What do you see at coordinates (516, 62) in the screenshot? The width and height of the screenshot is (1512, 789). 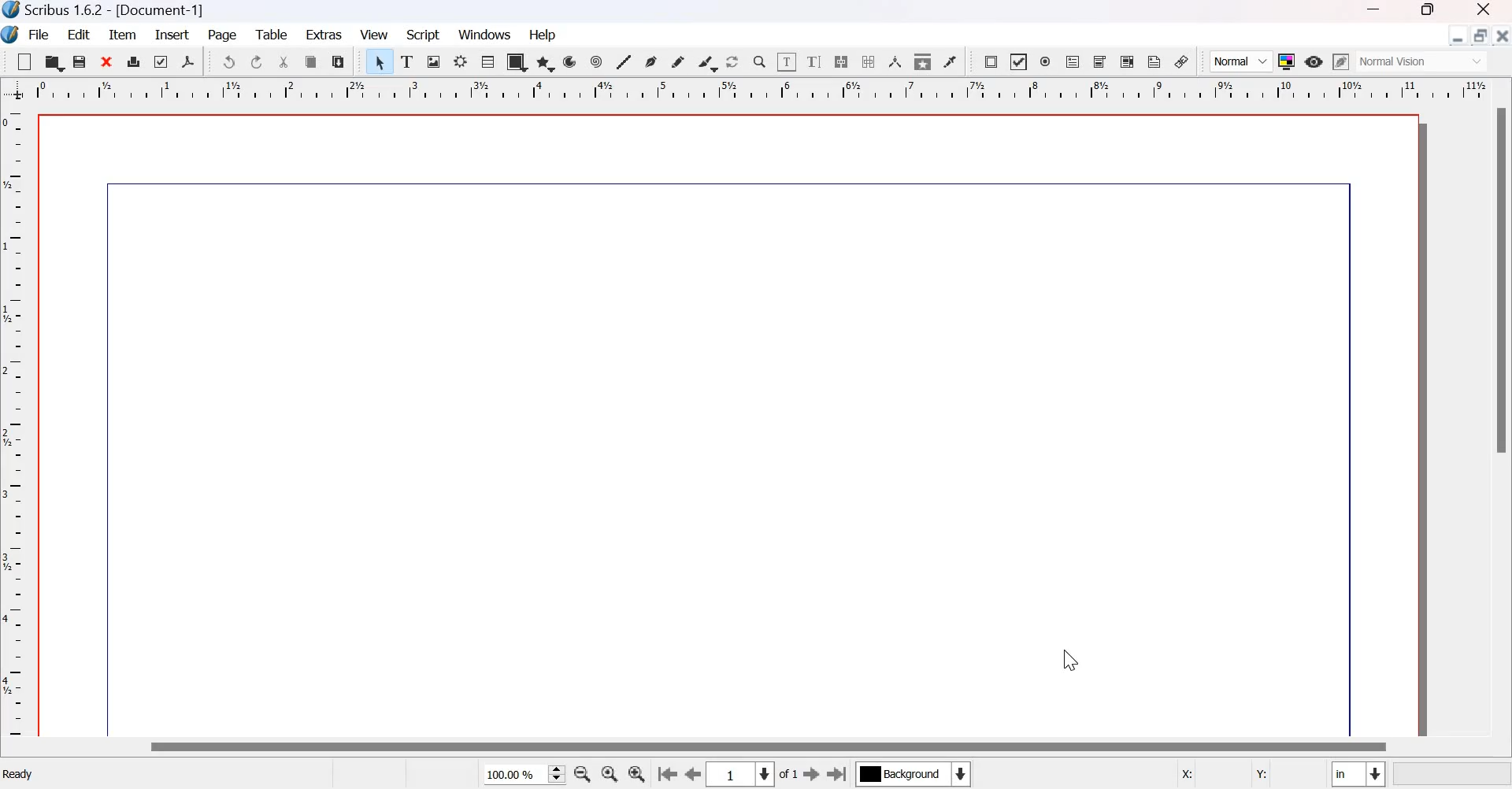 I see `shape` at bounding box center [516, 62].